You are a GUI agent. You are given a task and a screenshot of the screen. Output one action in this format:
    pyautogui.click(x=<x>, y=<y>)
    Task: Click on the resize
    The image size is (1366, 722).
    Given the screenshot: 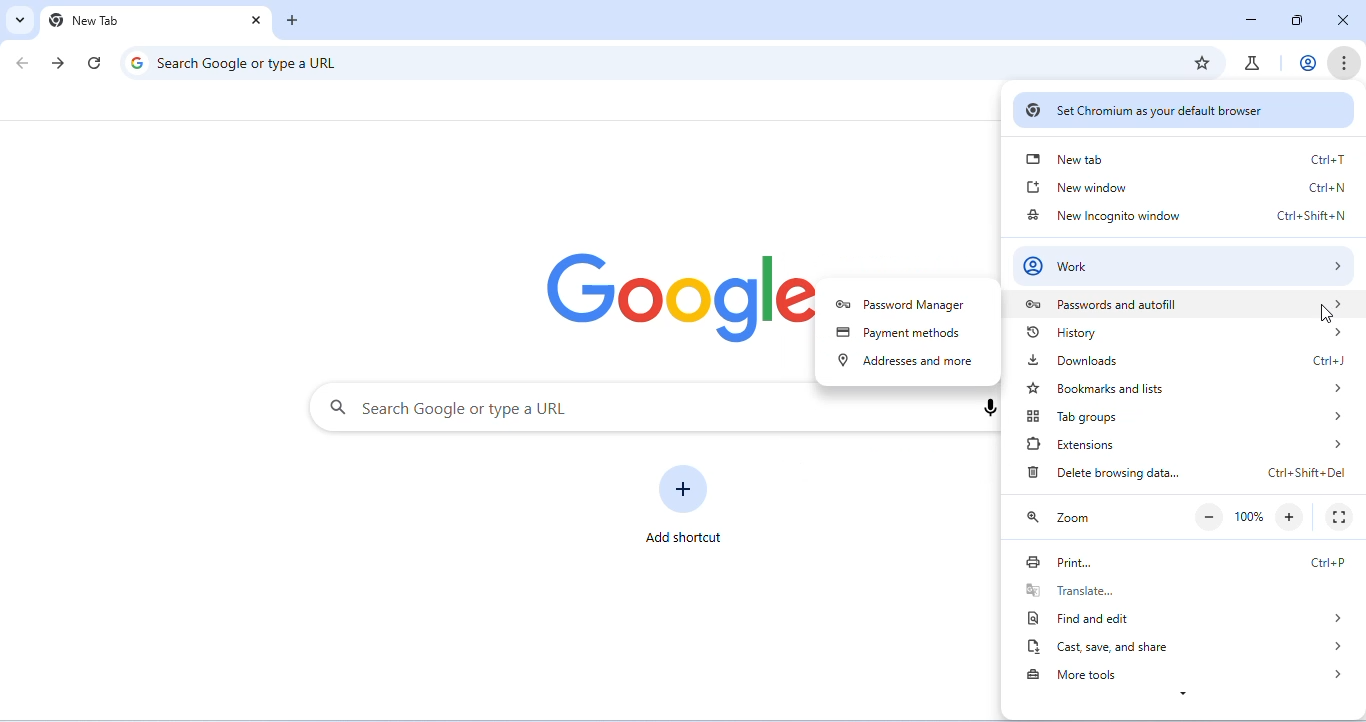 What is the action you would take?
    pyautogui.click(x=1295, y=20)
    